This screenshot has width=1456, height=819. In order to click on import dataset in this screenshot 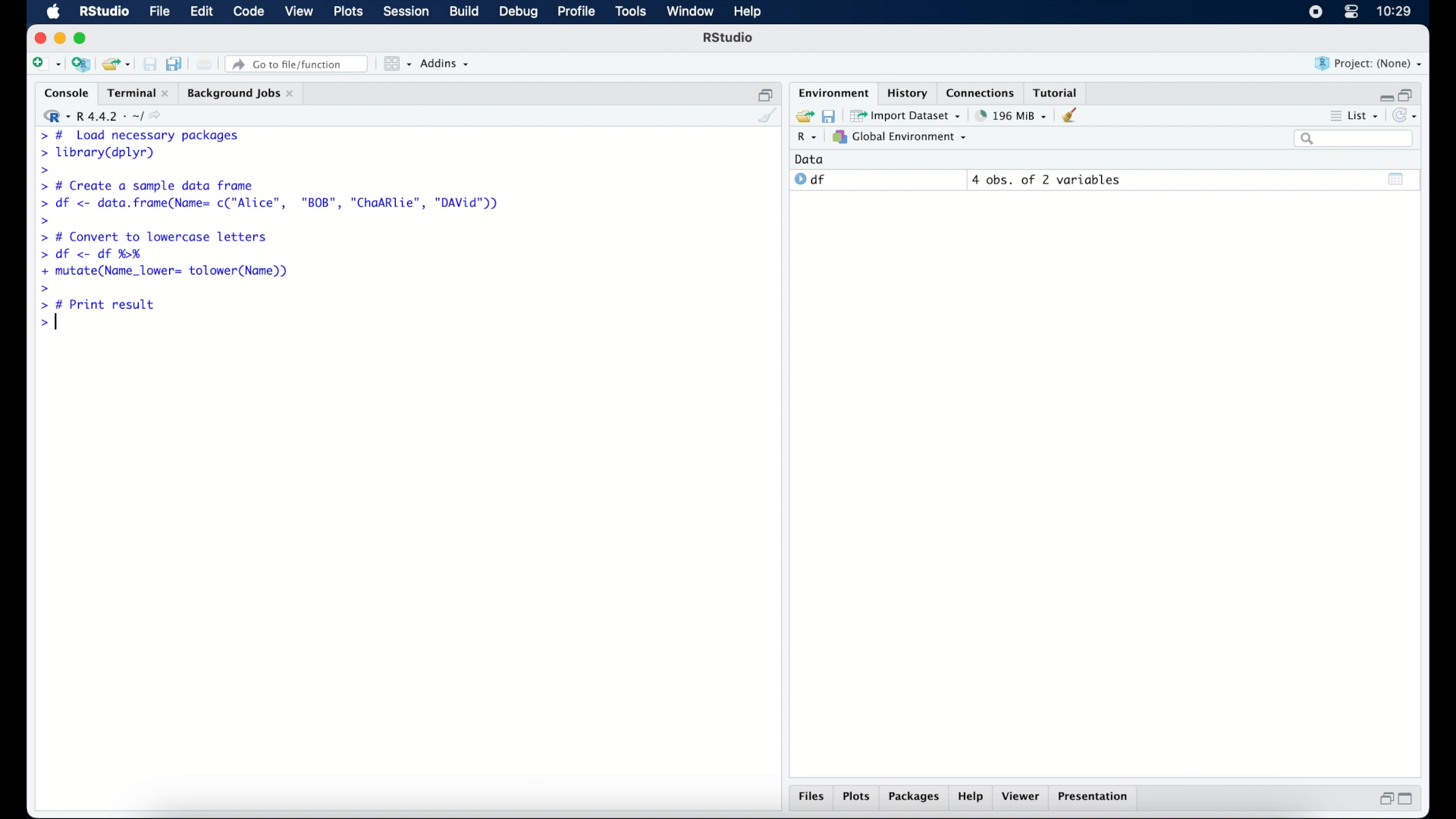, I will do `click(907, 115)`.